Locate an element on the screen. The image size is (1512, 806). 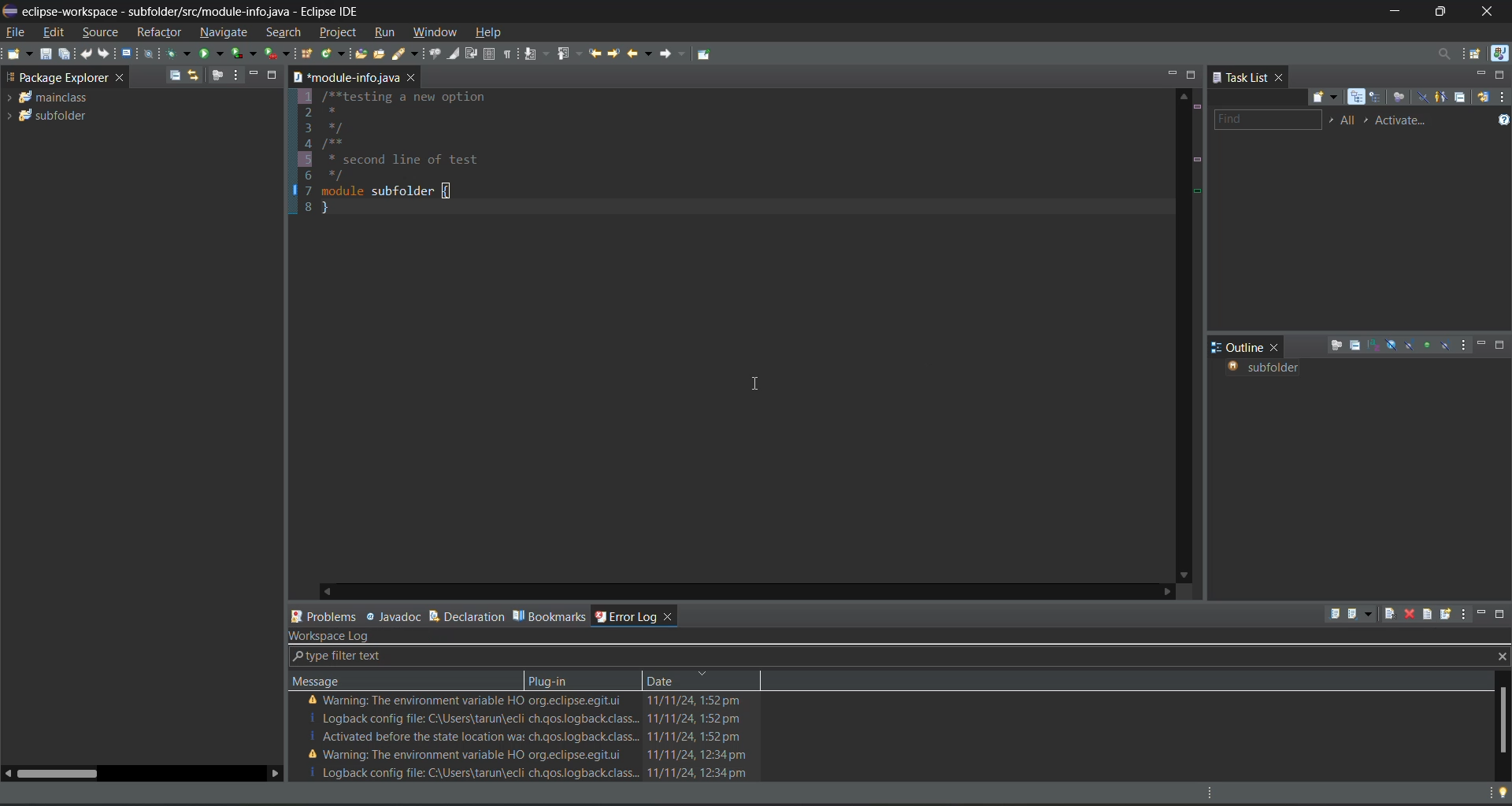
view menu is located at coordinates (238, 75).